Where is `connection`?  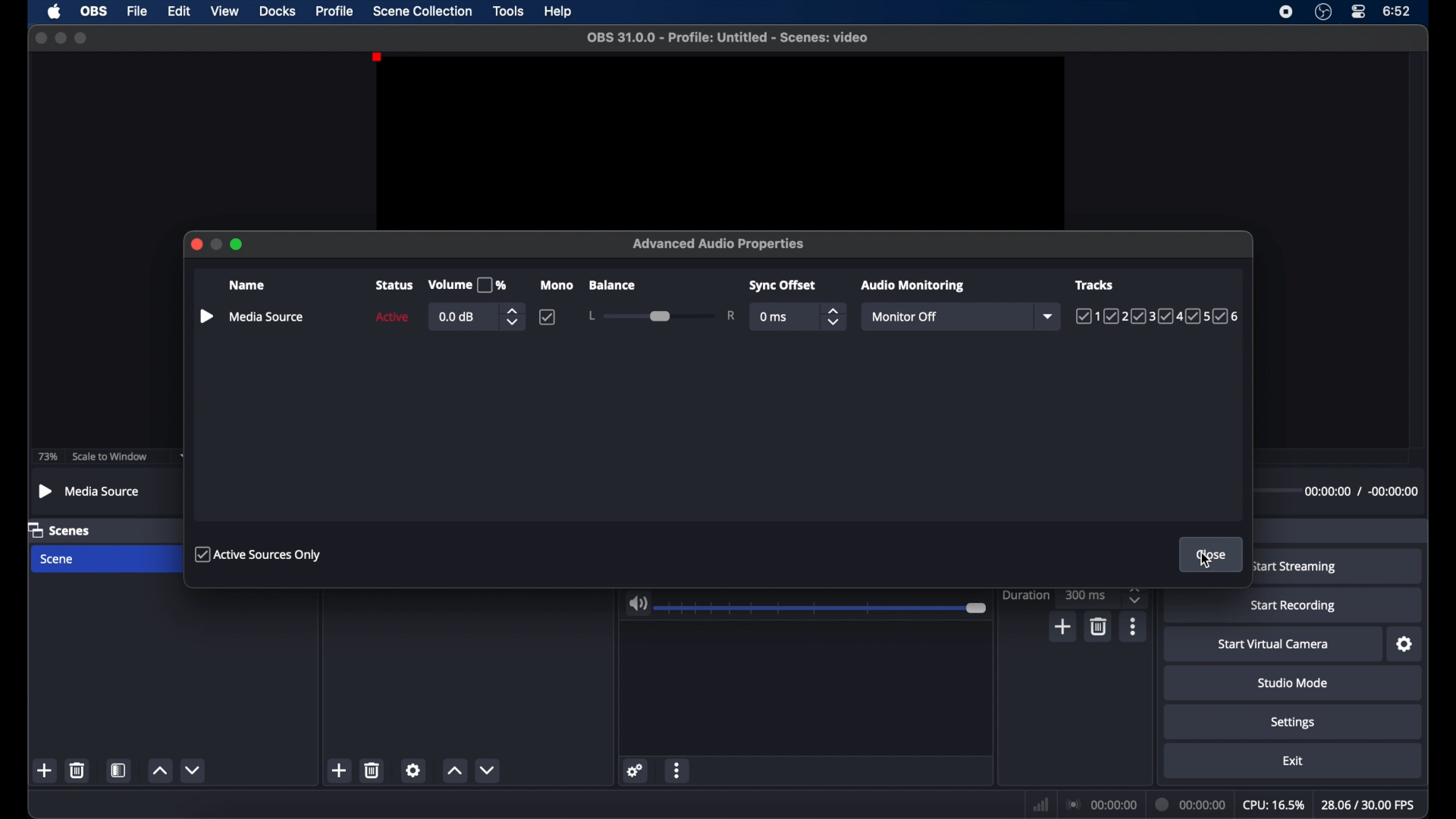 connection is located at coordinates (1103, 805).